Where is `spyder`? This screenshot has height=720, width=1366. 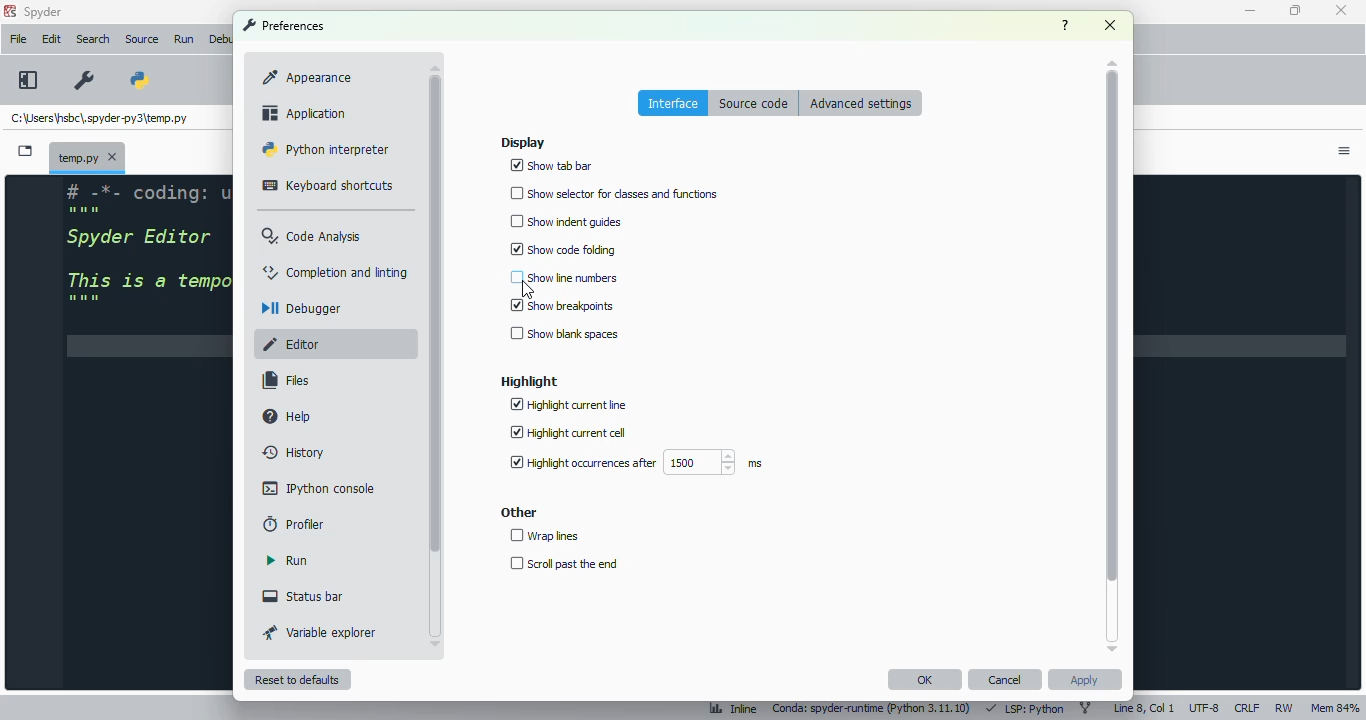 spyder is located at coordinates (44, 12).